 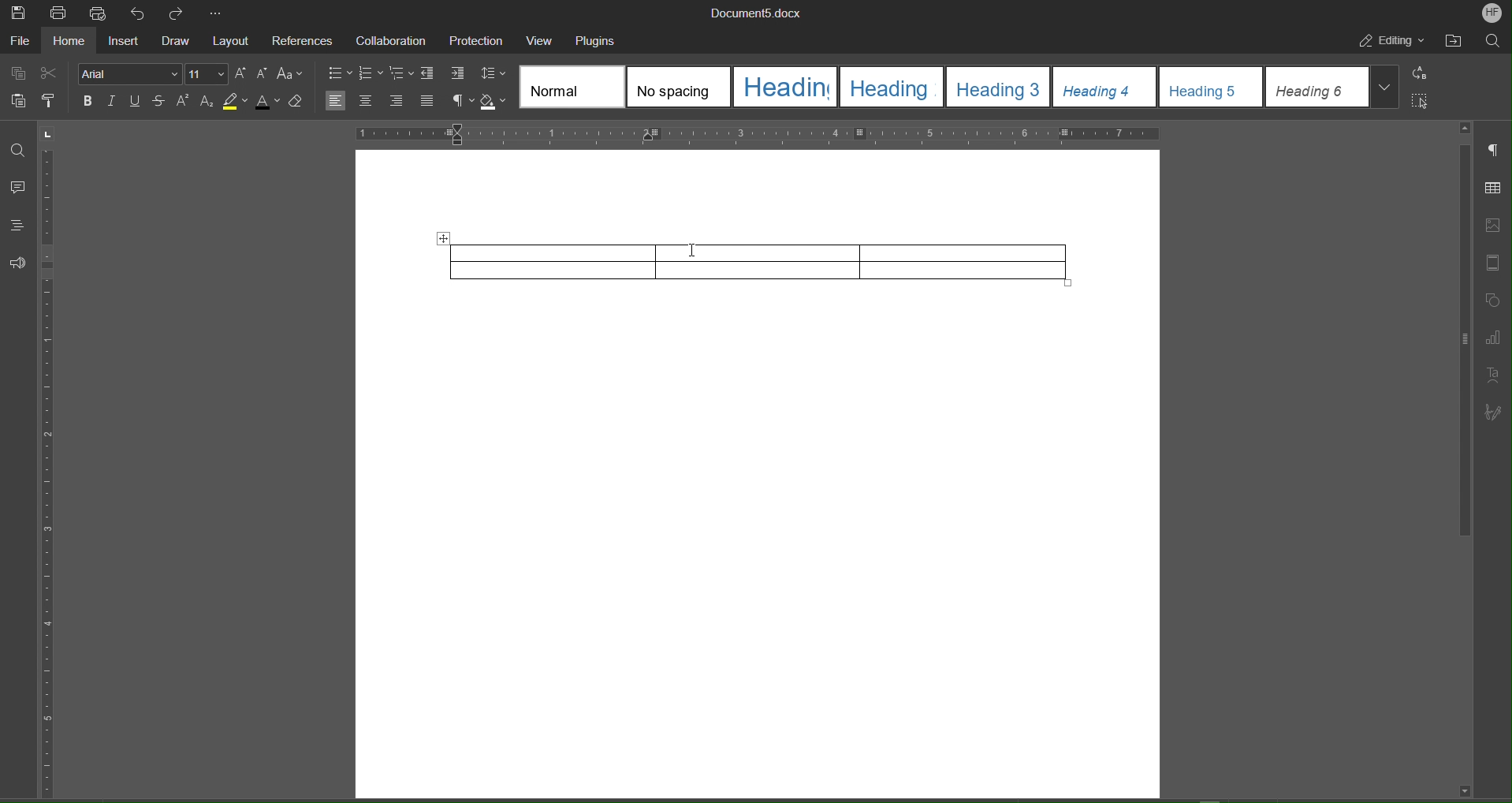 I want to click on Shape Settings, so click(x=1495, y=301).